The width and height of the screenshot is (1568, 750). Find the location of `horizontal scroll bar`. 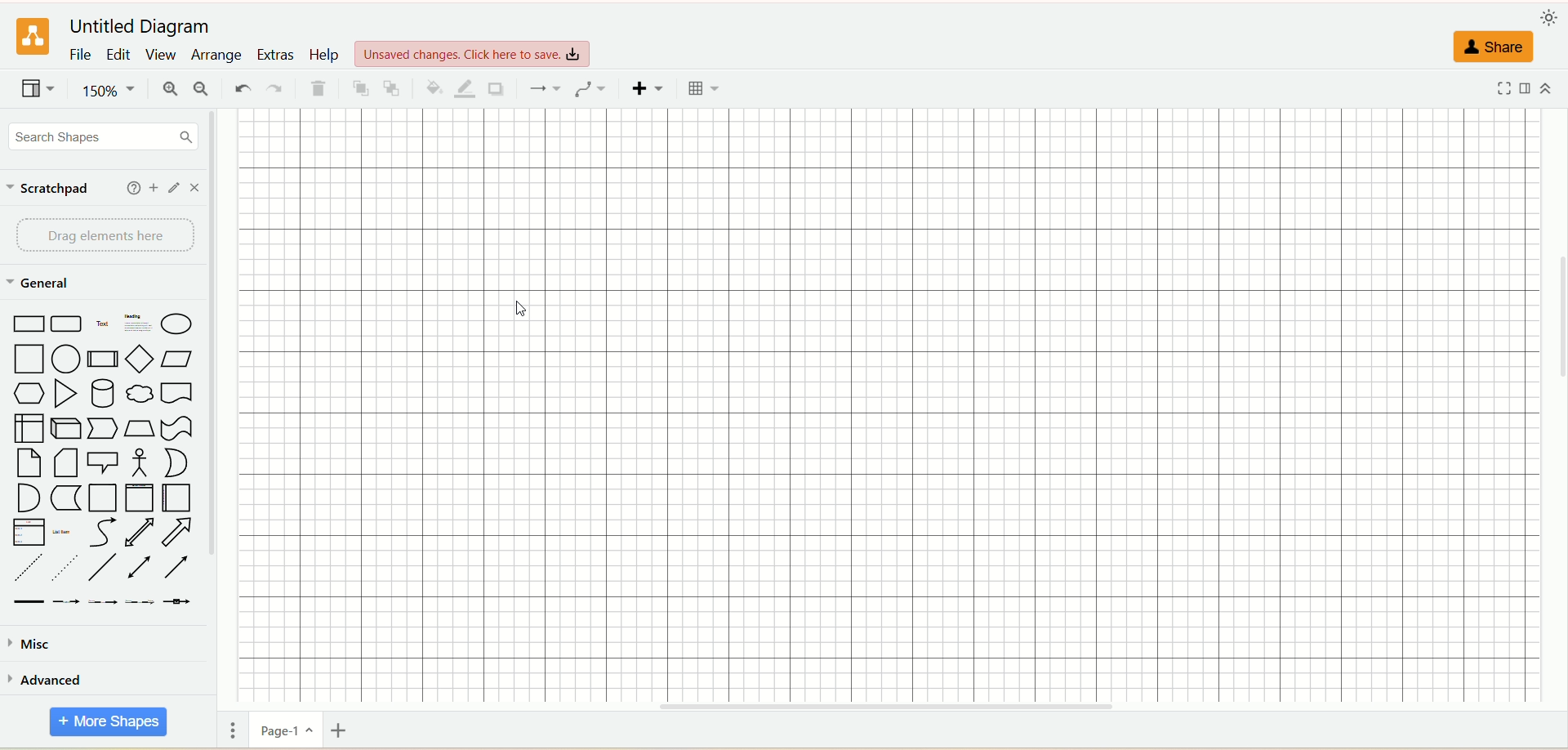

horizontal scroll bar is located at coordinates (896, 711).